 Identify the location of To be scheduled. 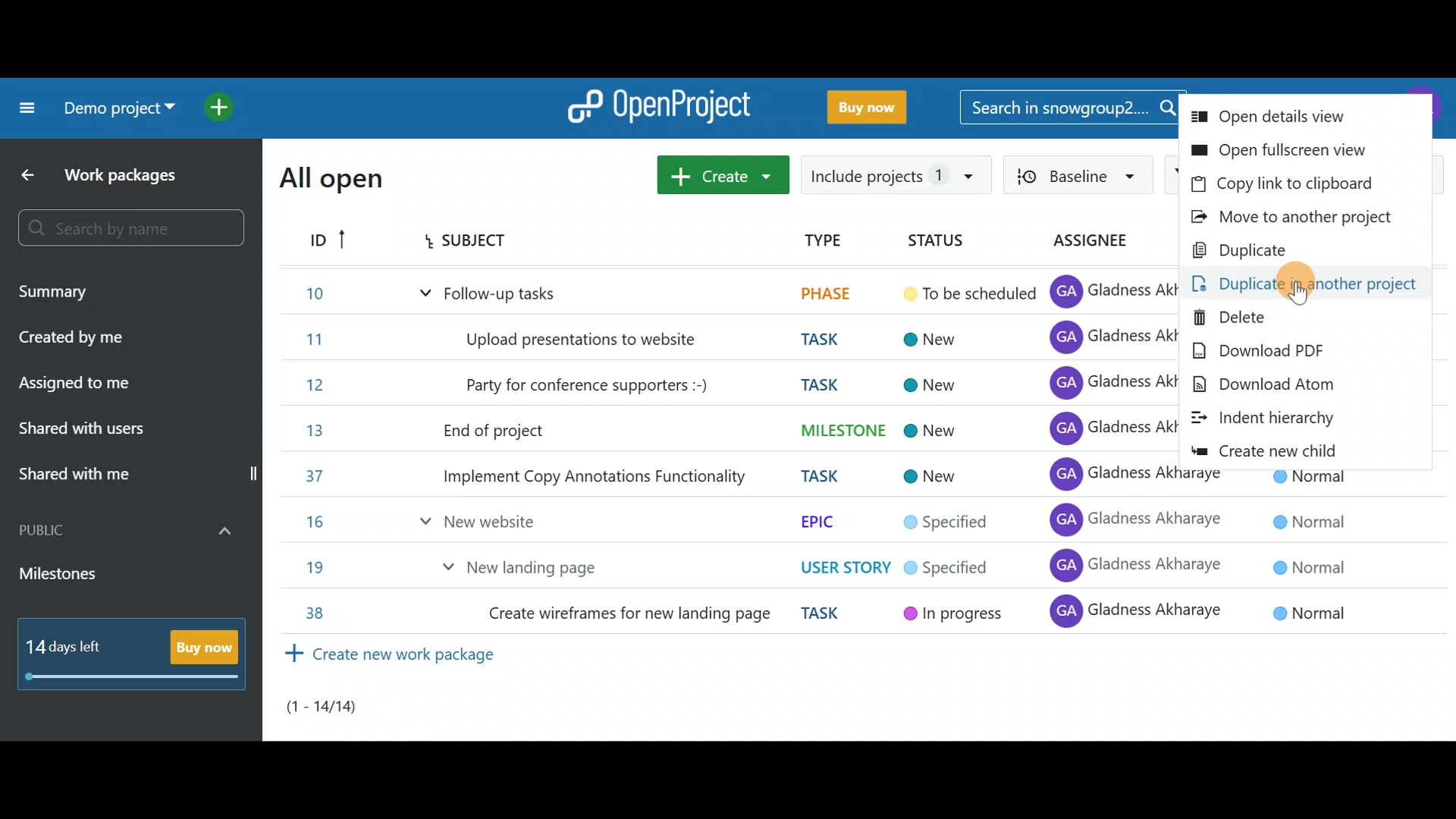
(968, 293).